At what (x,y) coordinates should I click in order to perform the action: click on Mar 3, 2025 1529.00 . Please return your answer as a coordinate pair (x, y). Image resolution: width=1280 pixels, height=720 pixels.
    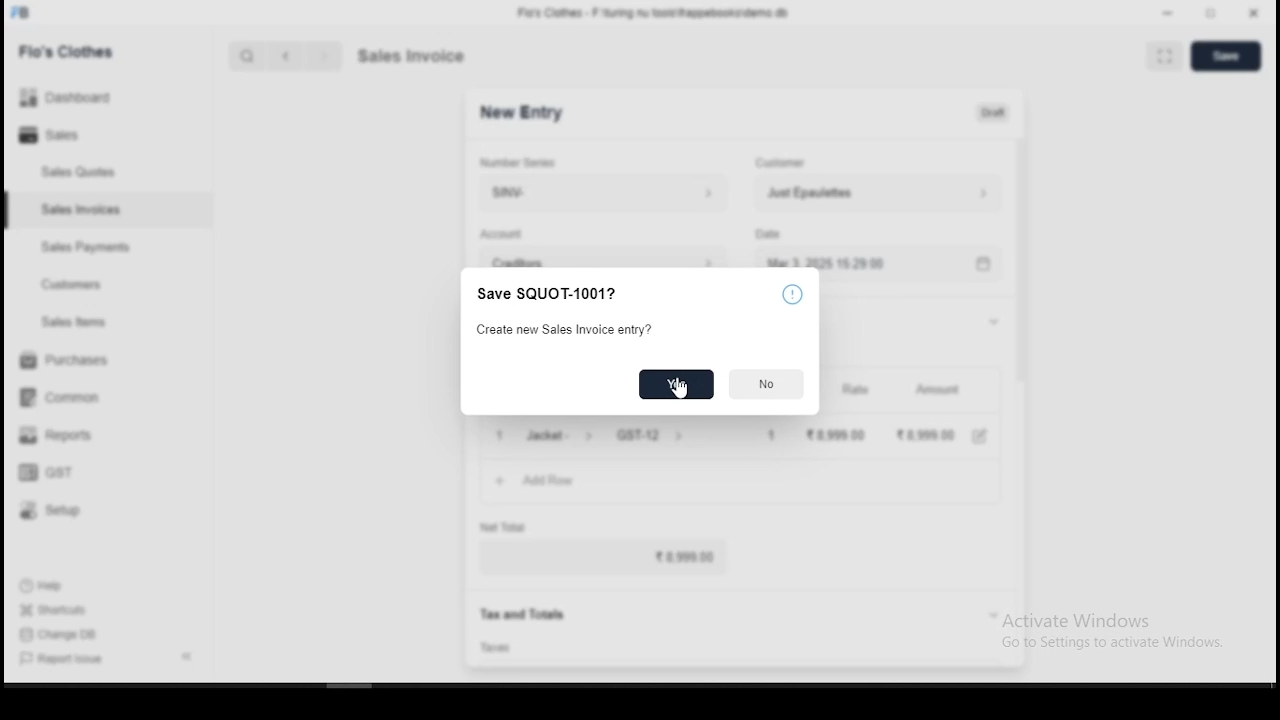
    Looking at the image, I should click on (857, 261).